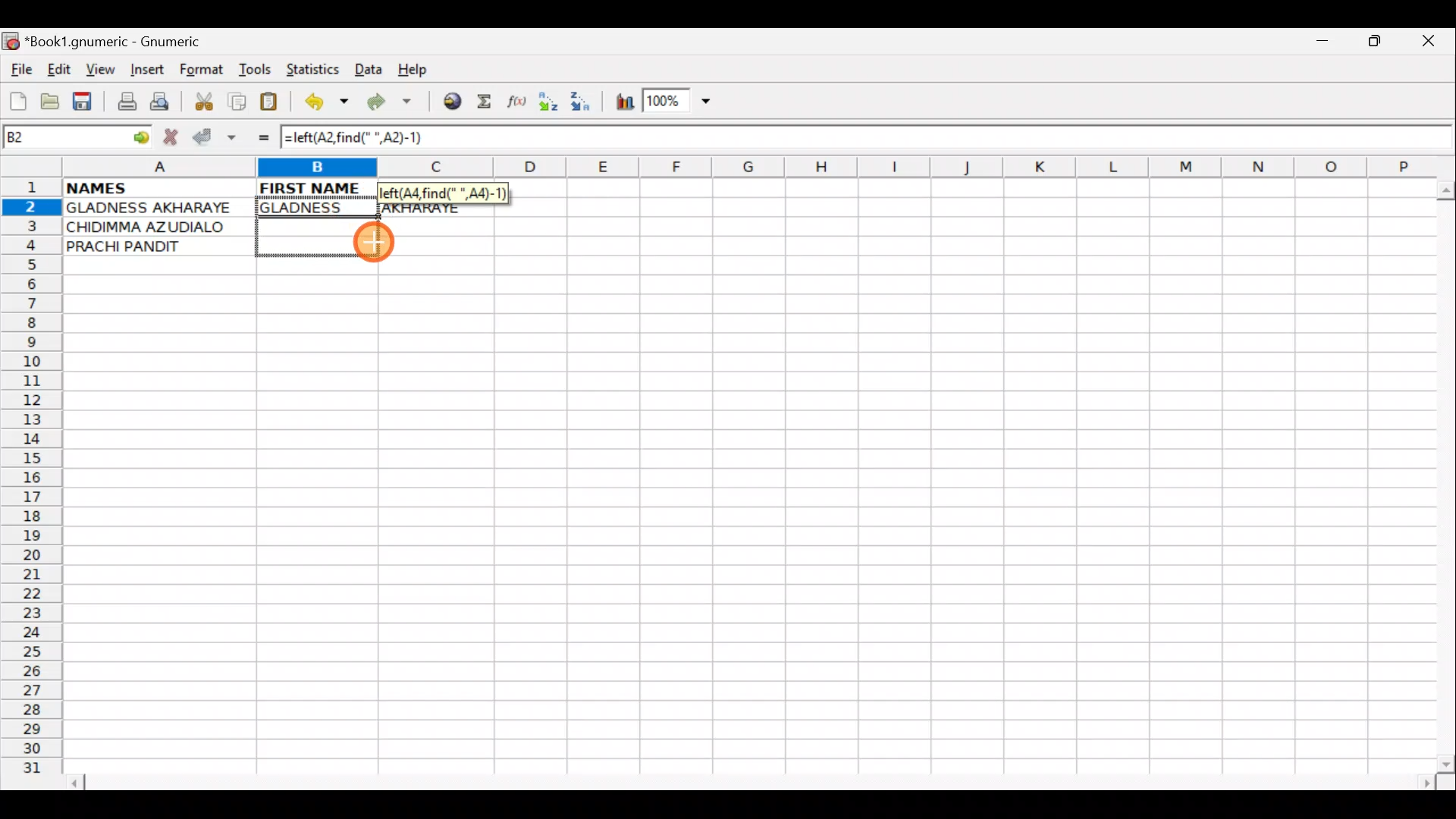 Image resolution: width=1456 pixels, height=819 pixels. What do you see at coordinates (96, 69) in the screenshot?
I see `View` at bounding box center [96, 69].